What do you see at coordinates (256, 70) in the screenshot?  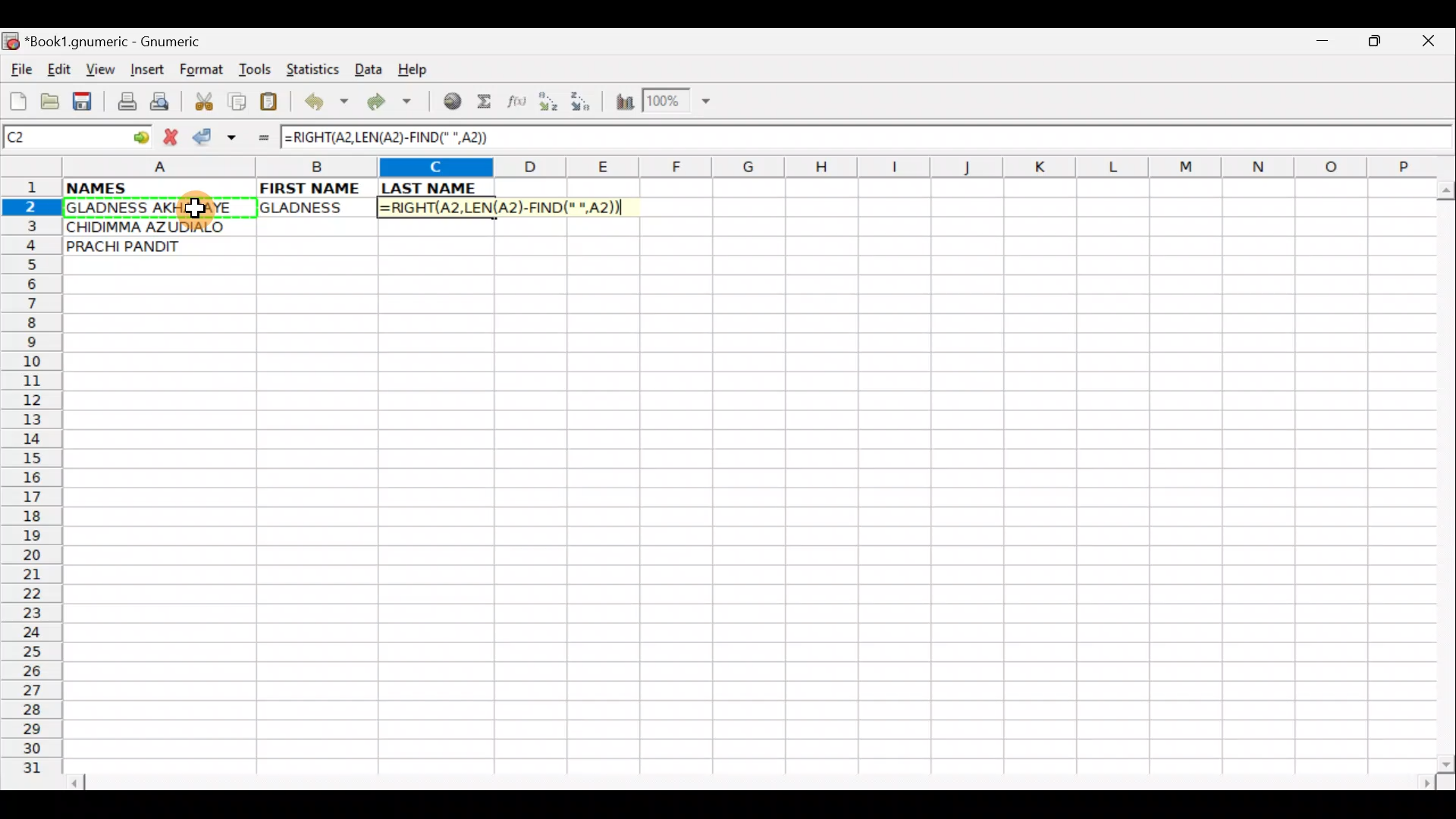 I see `Tools` at bounding box center [256, 70].